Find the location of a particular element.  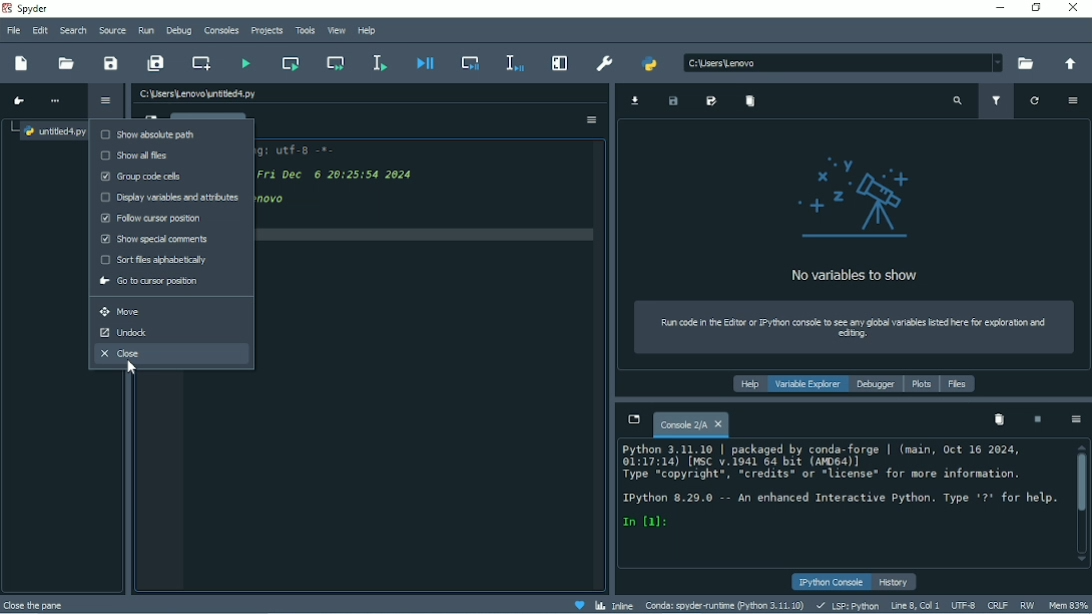

Remove all variables from namespace is located at coordinates (998, 419).